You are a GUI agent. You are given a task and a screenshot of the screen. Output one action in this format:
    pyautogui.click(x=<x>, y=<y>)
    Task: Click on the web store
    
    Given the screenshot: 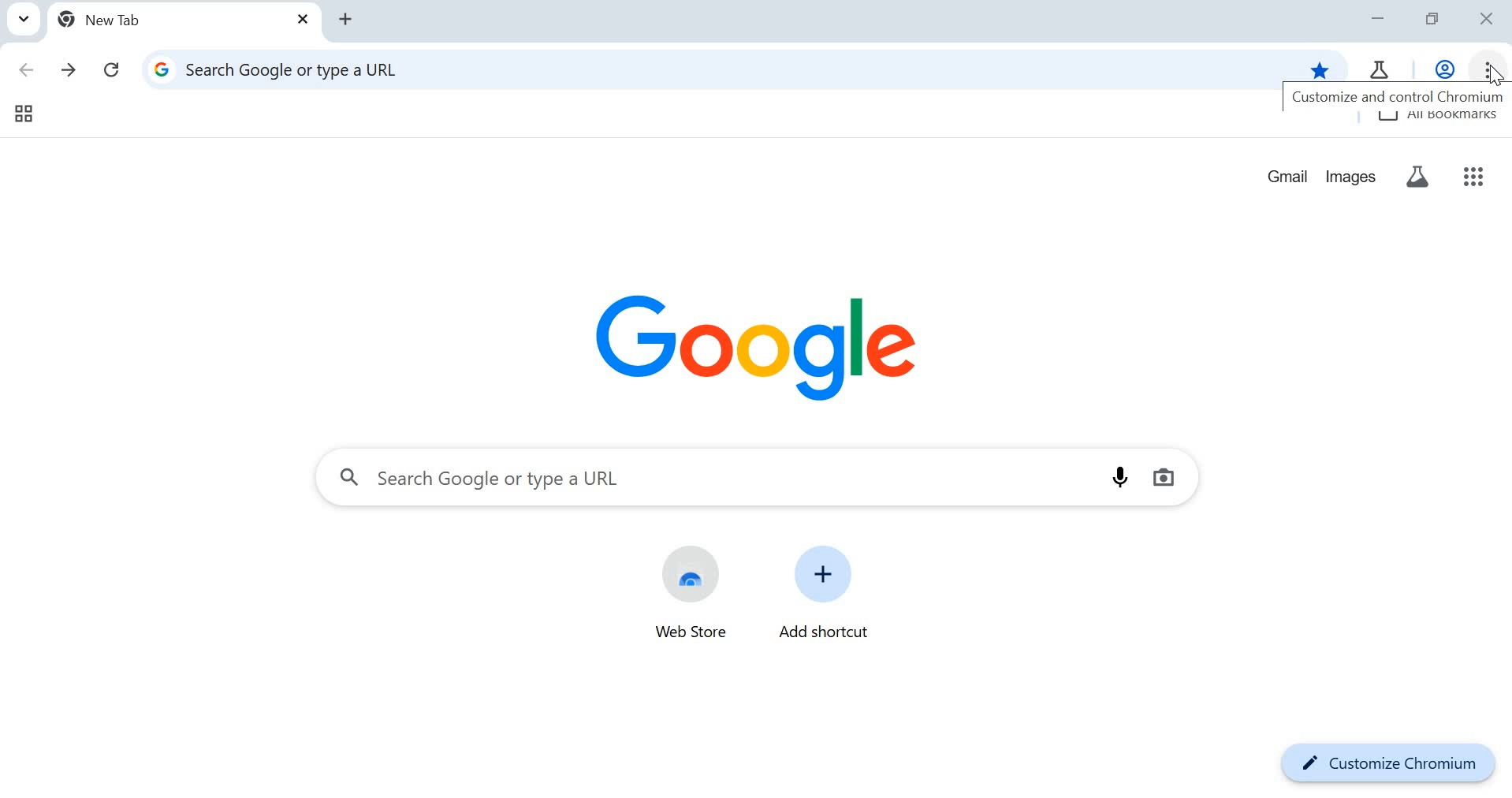 What is the action you would take?
    pyautogui.click(x=693, y=592)
    